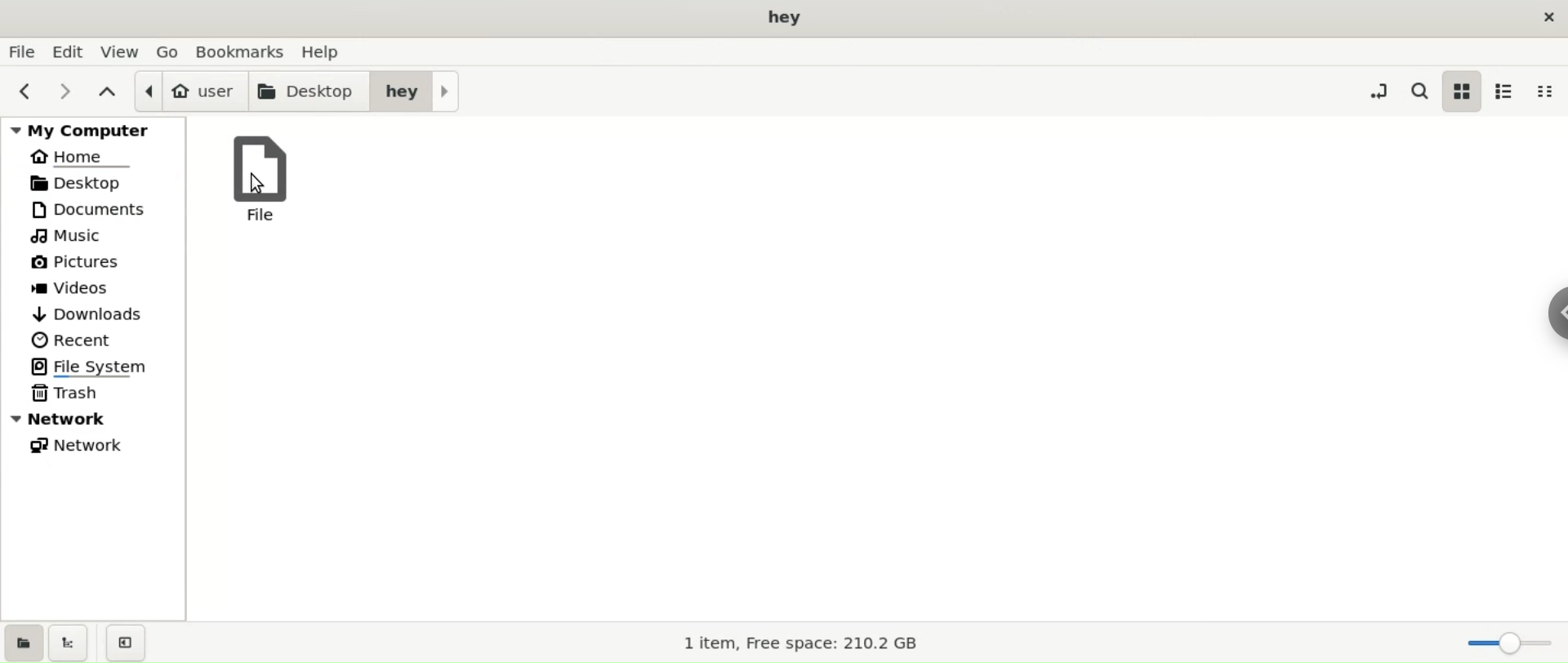  I want to click on hey, so click(412, 92).